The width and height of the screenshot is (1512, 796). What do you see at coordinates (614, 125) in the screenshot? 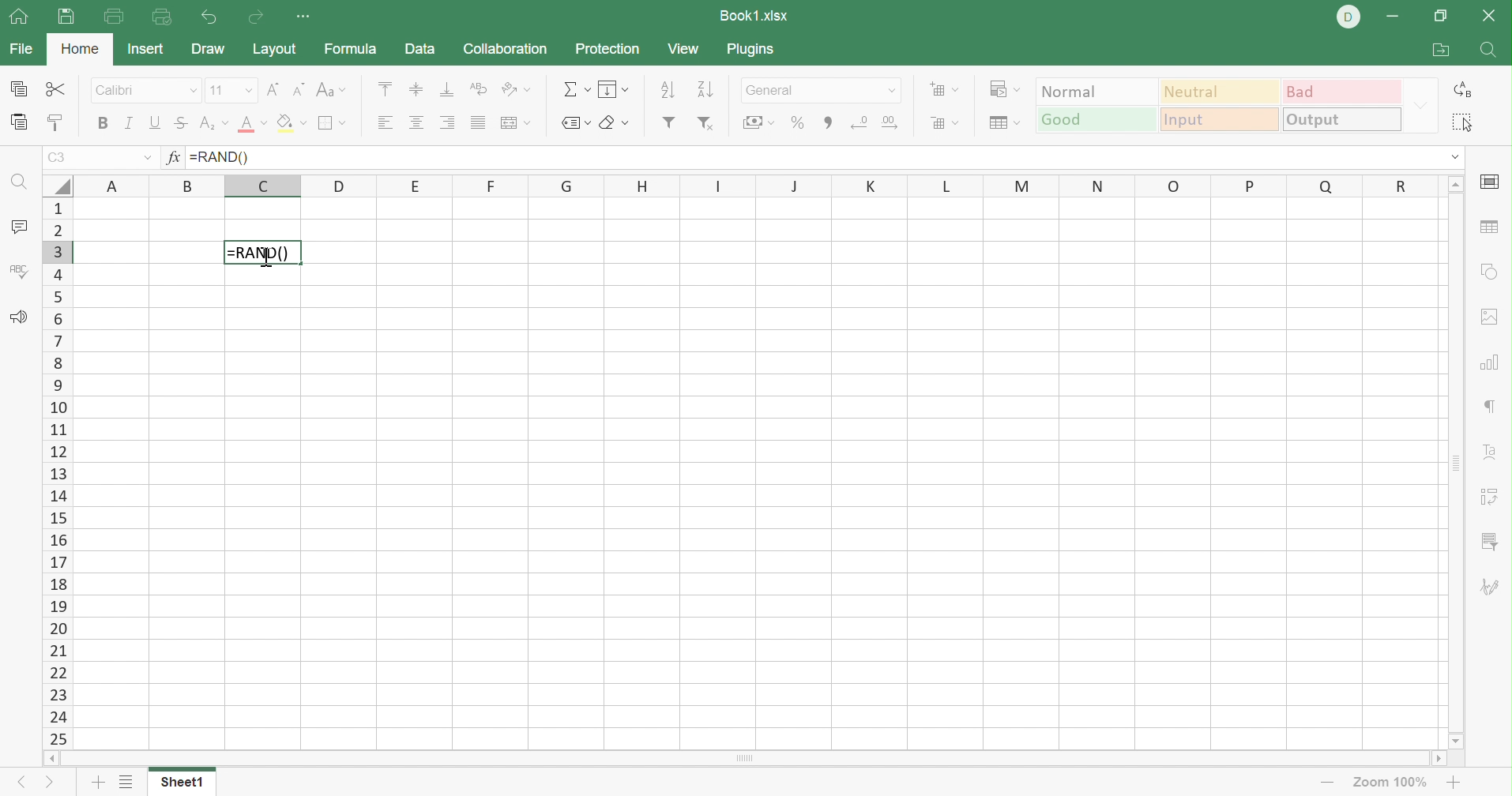
I see `Clear` at bounding box center [614, 125].